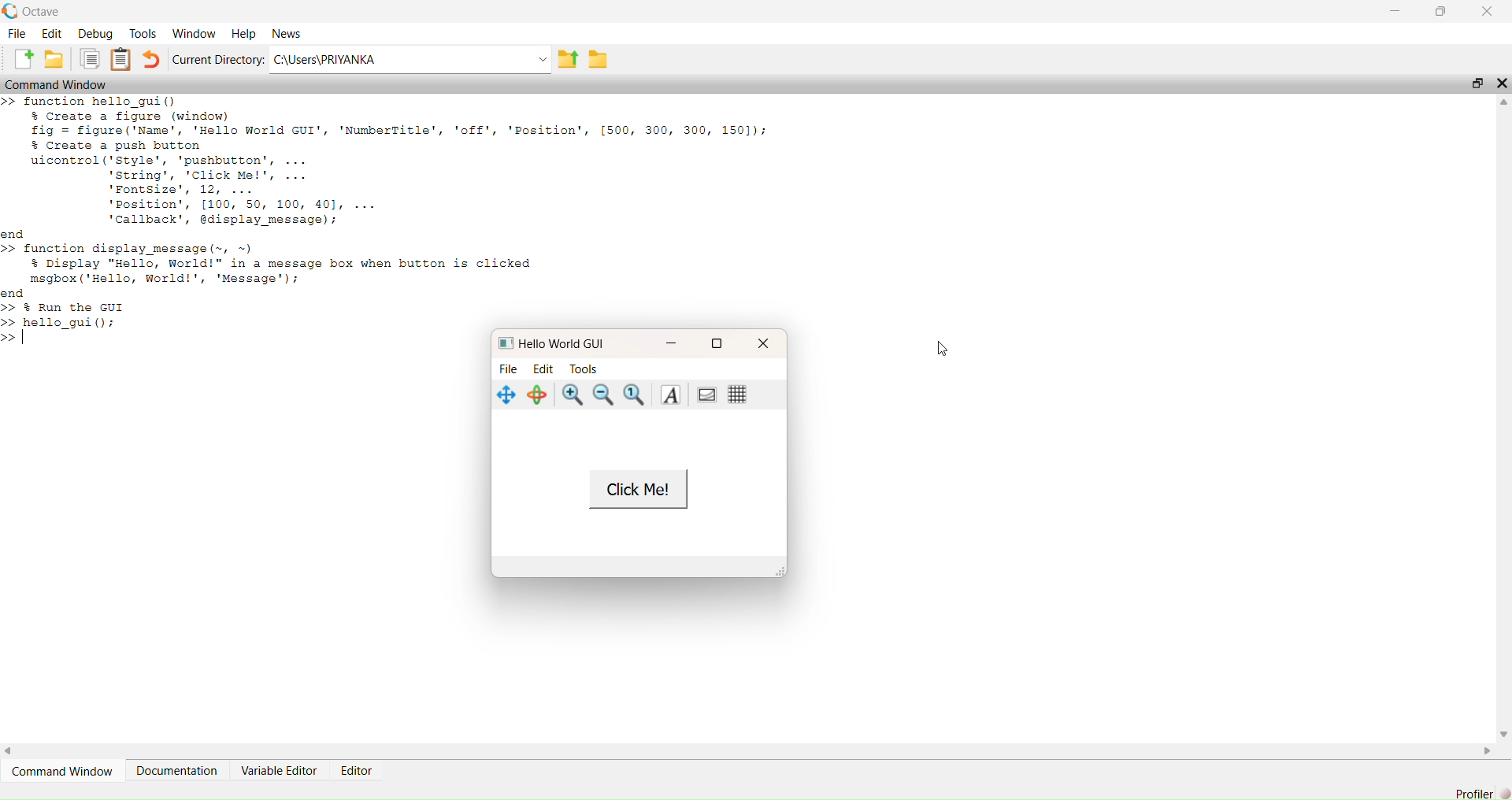 The height and width of the screenshot is (800, 1512). What do you see at coordinates (54, 61) in the screenshot?
I see `save` at bounding box center [54, 61].